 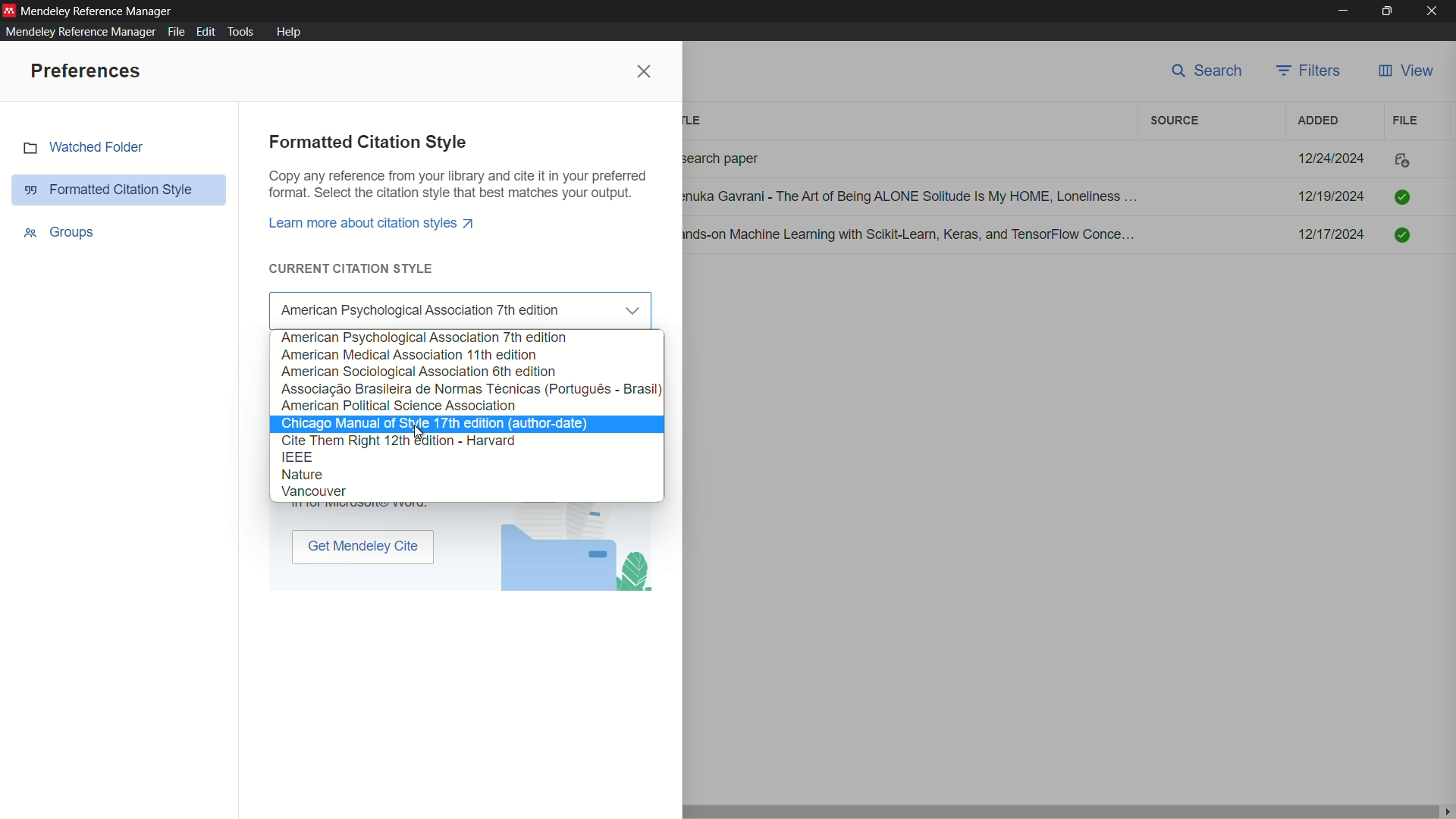 What do you see at coordinates (402, 405) in the screenshot?
I see `citation styles` at bounding box center [402, 405].